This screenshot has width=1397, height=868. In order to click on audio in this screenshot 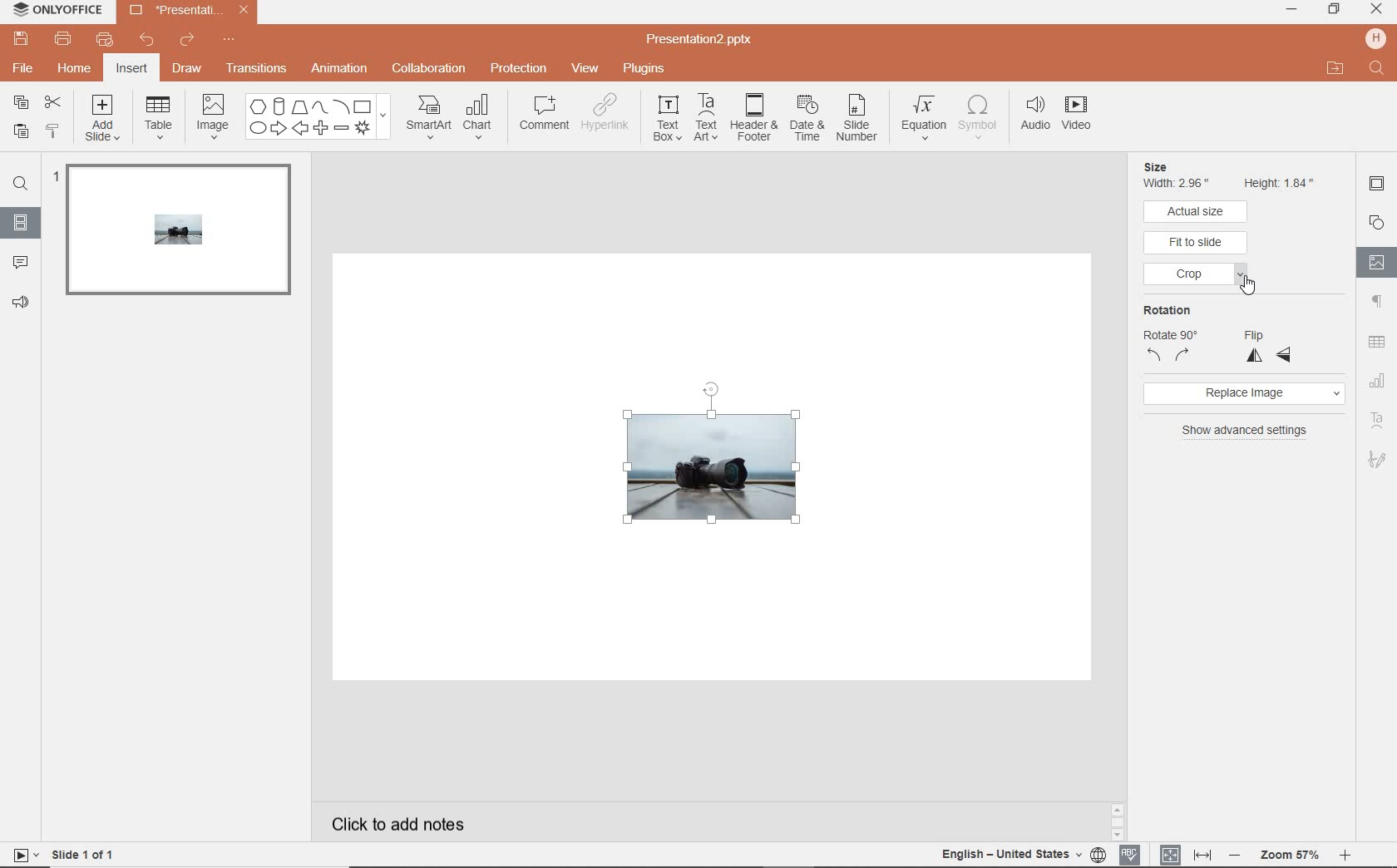, I will do `click(1034, 116)`.